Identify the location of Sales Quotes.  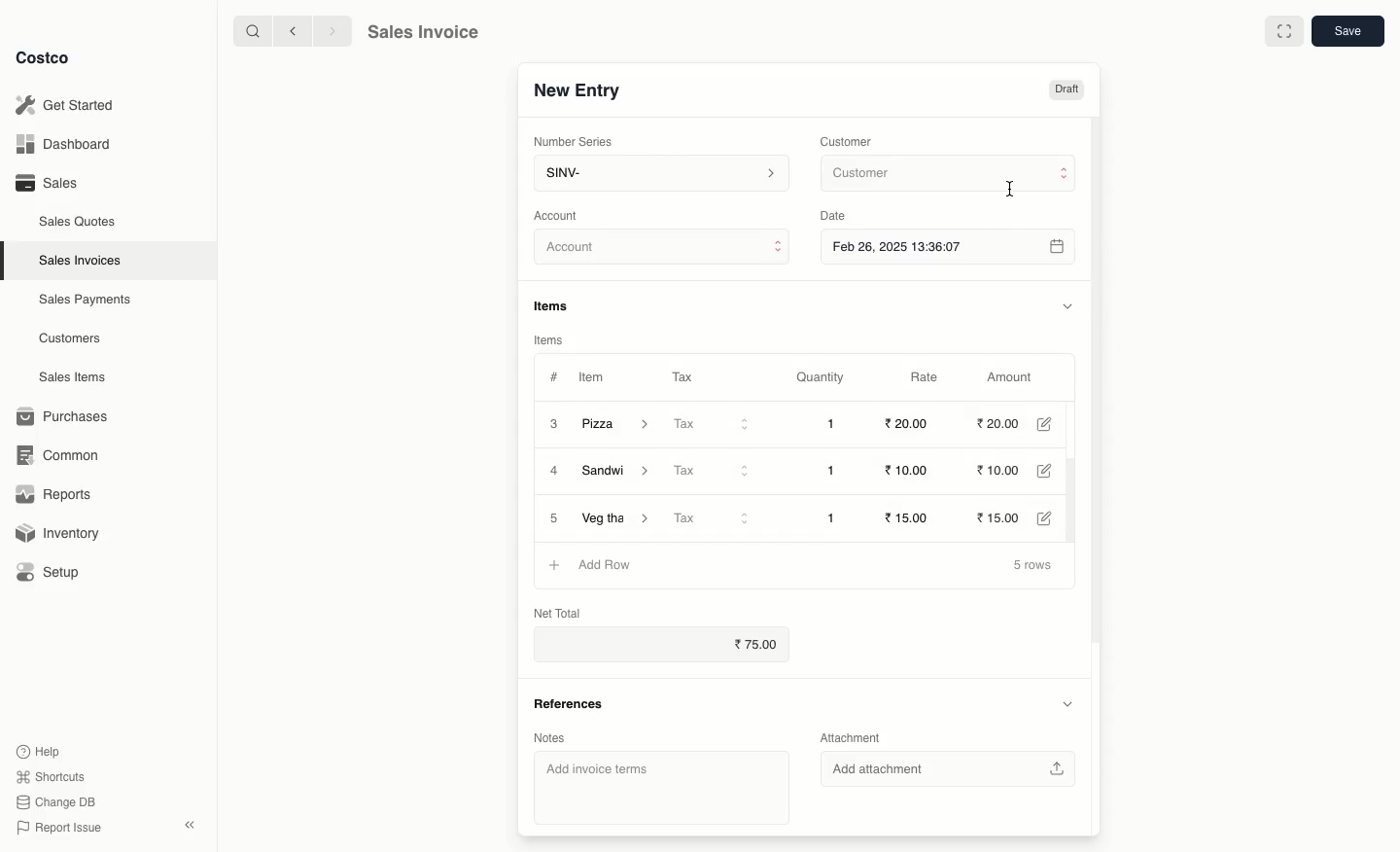
(80, 221).